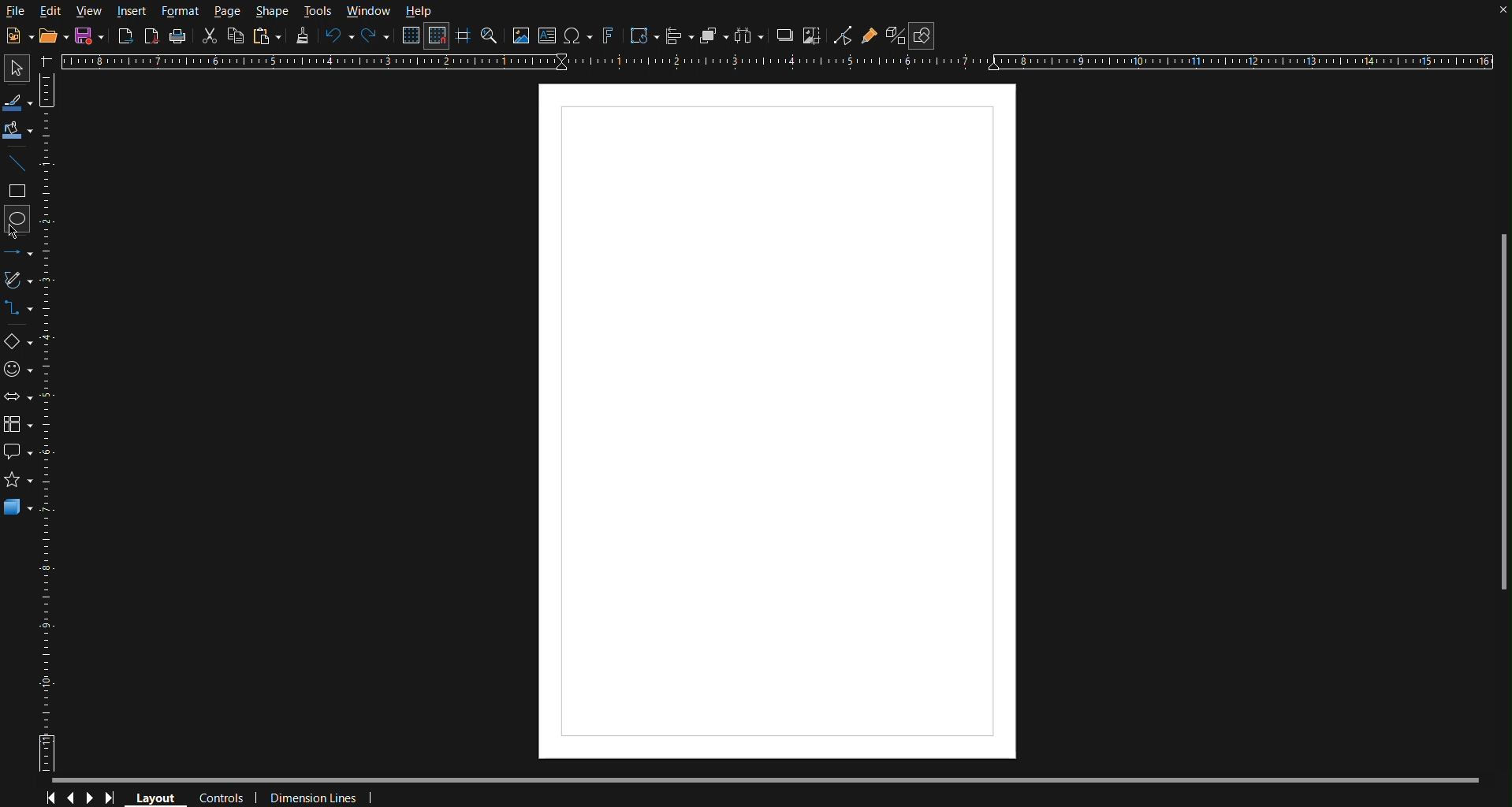 The height and width of the screenshot is (807, 1512). What do you see at coordinates (711, 35) in the screenshot?
I see `Arrange` at bounding box center [711, 35].